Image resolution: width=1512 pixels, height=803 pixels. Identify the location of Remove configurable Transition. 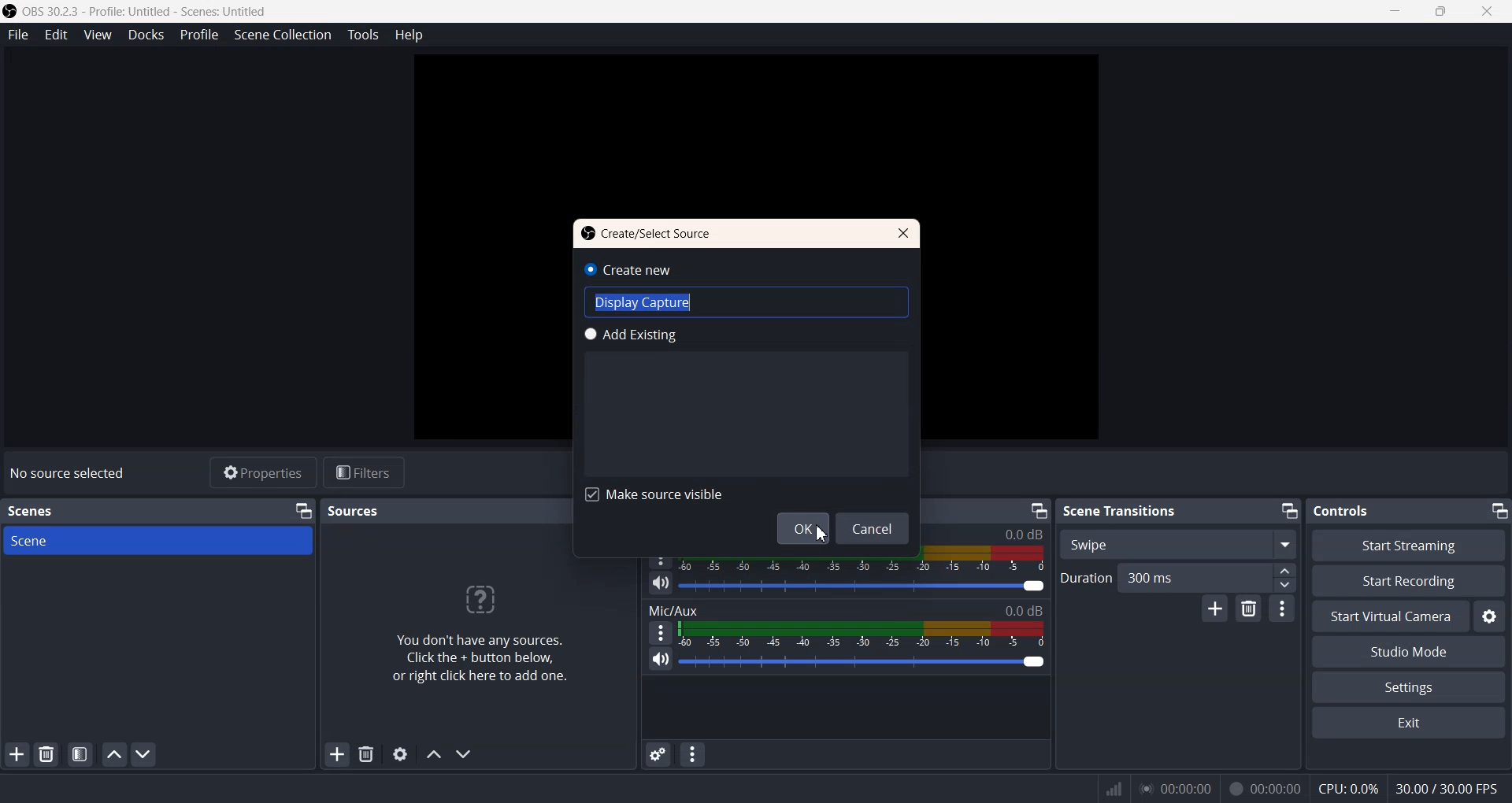
(1249, 609).